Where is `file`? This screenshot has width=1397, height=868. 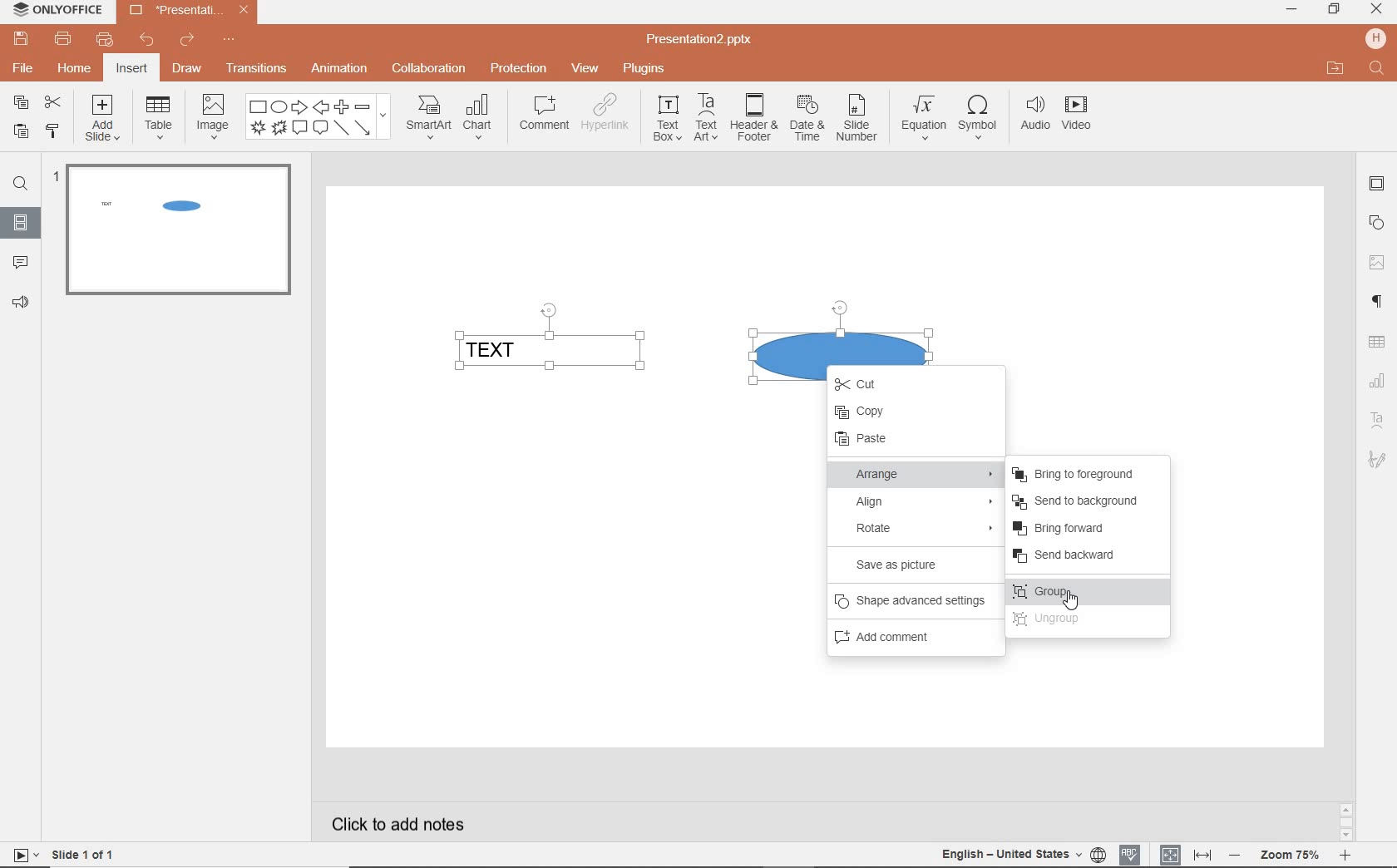 file is located at coordinates (24, 69).